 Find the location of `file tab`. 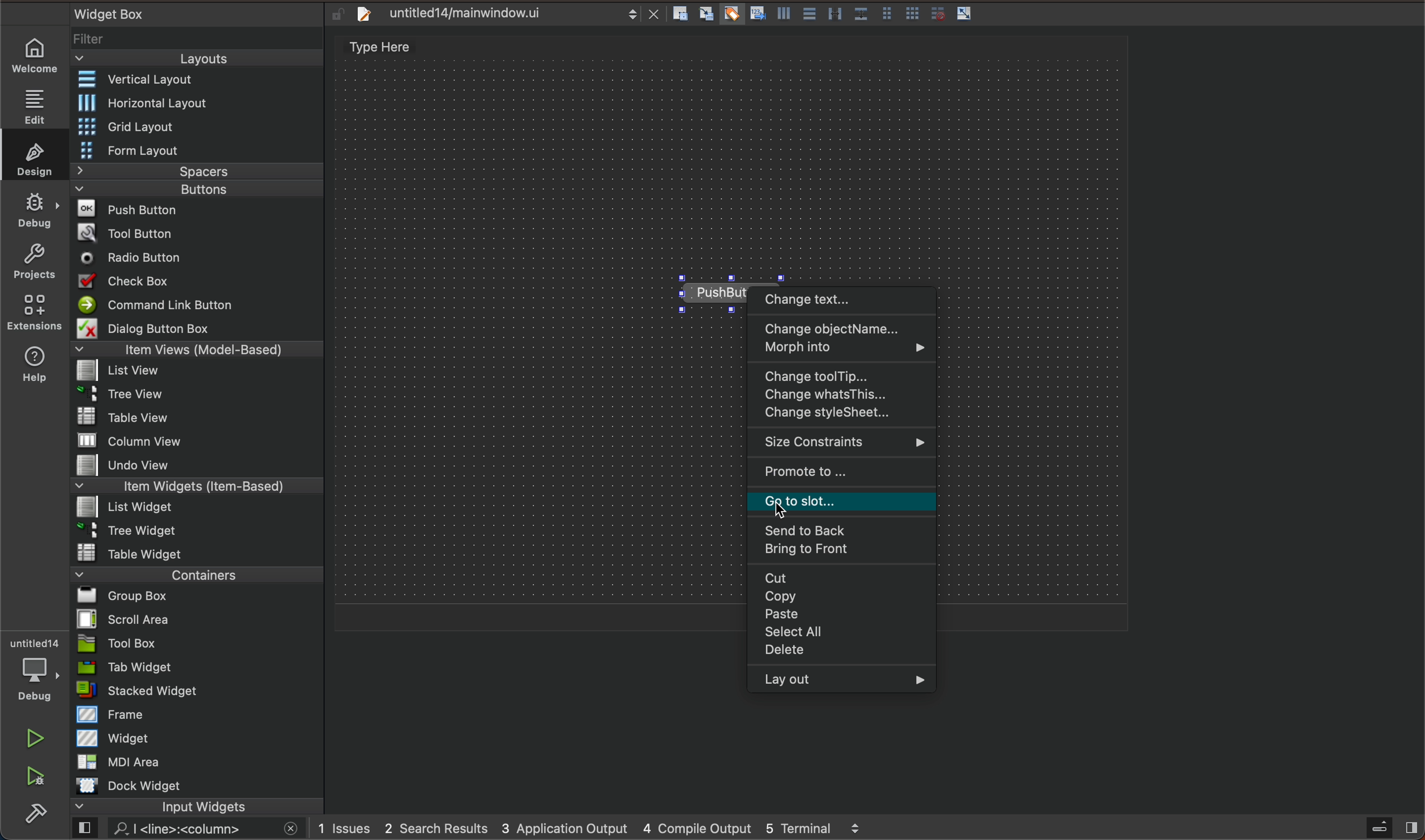

file tab is located at coordinates (503, 16).